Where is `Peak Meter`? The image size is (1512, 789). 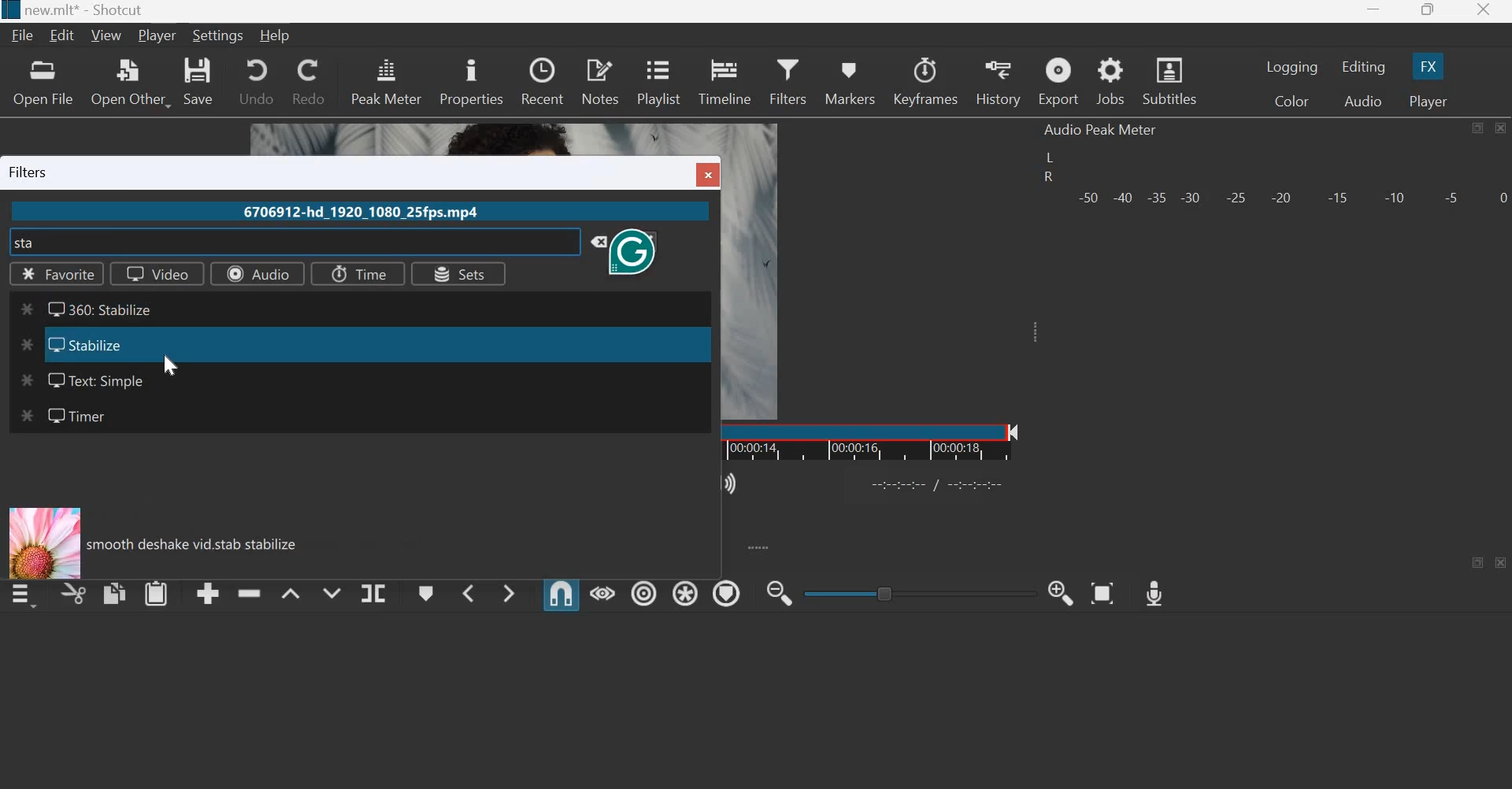 Peak Meter is located at coordinates (387, 80).